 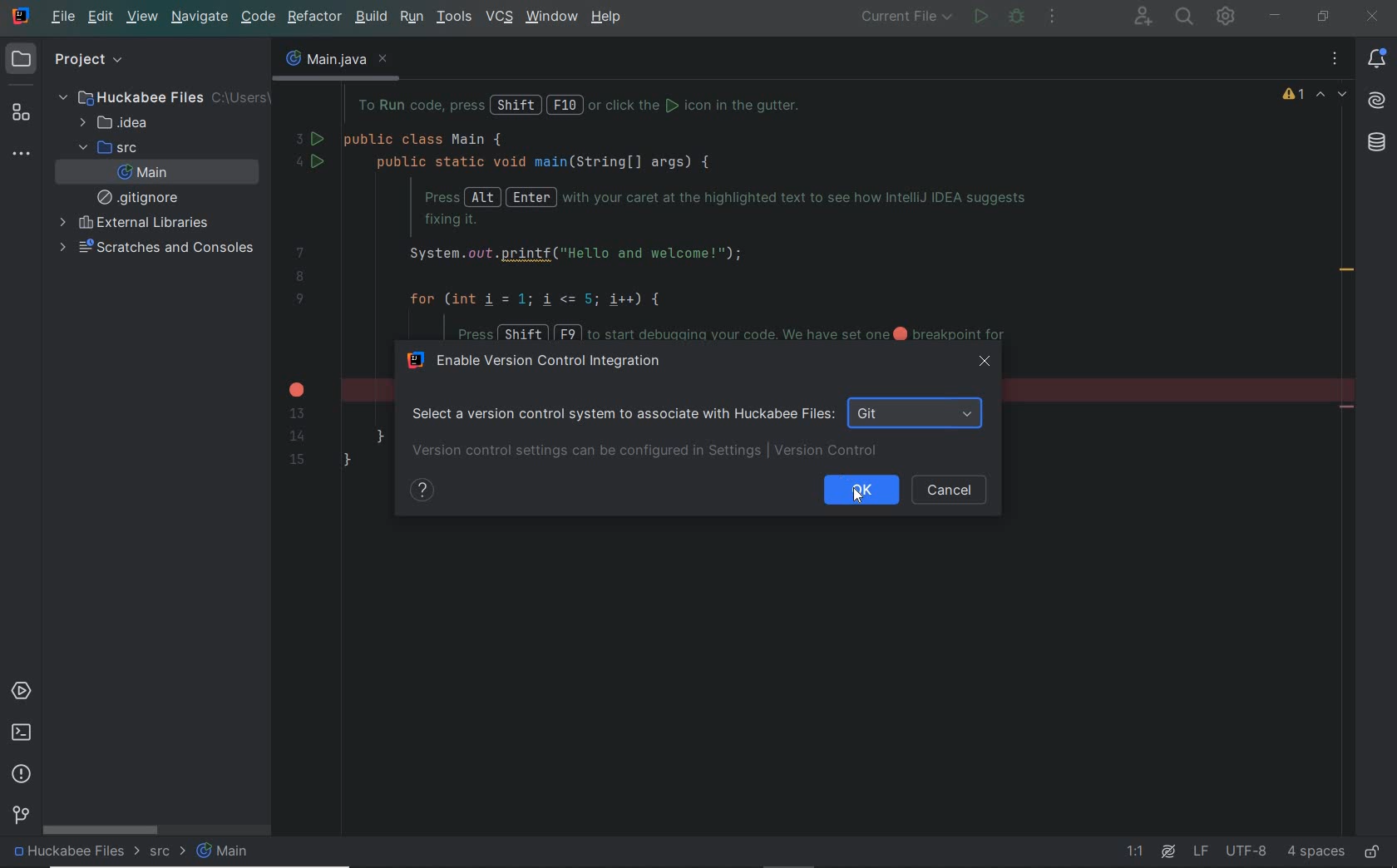 I want to click on ai assistant, so click(x=1167, y=851).